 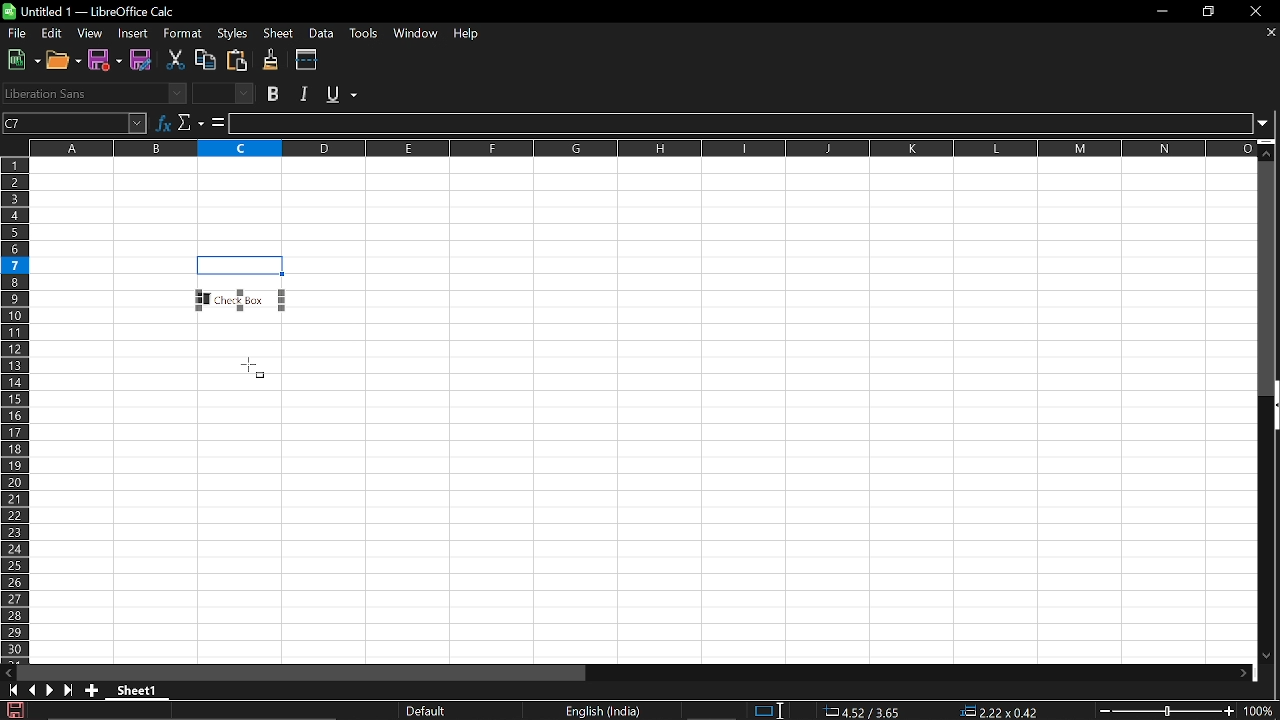 What do you see at coordinates (142, 692) in the screenshot?
I see `Current sheet` at bounding box center [142, 692].